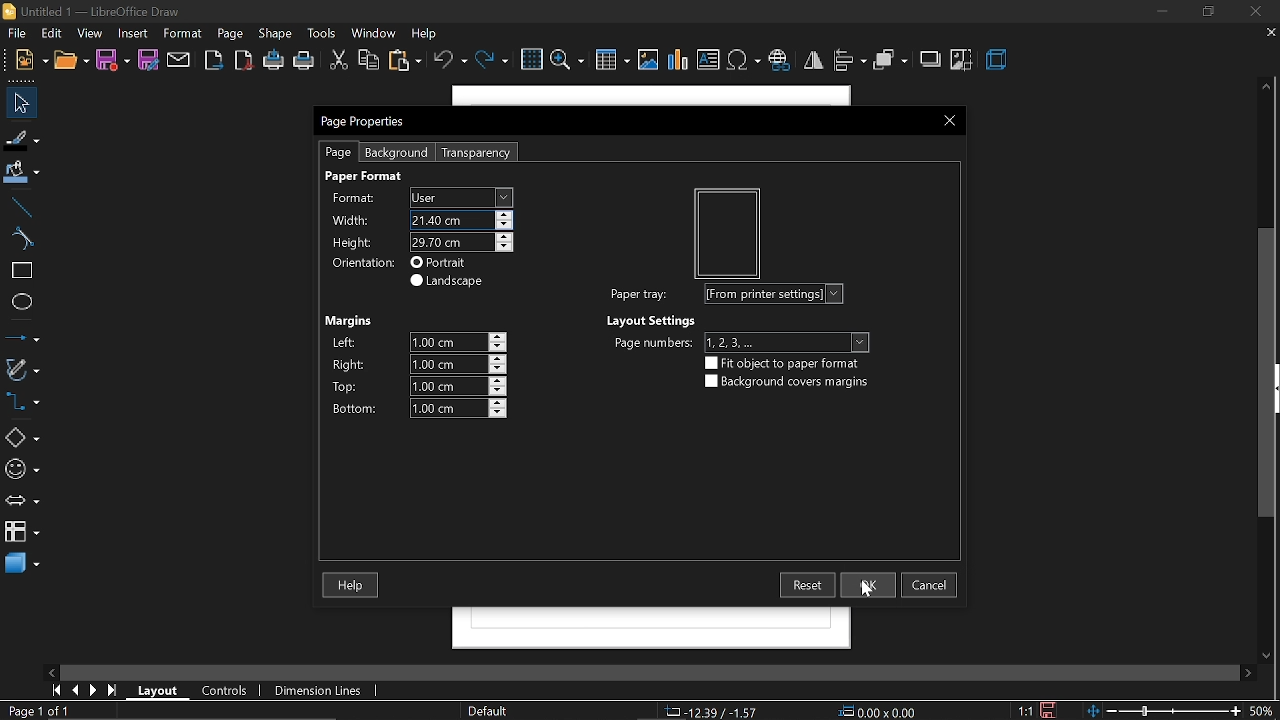 The width and height of the screenshot is (1280, 720). Describe the element at coordinates (719, 224) in the screenshot. I see `preview` at that location.